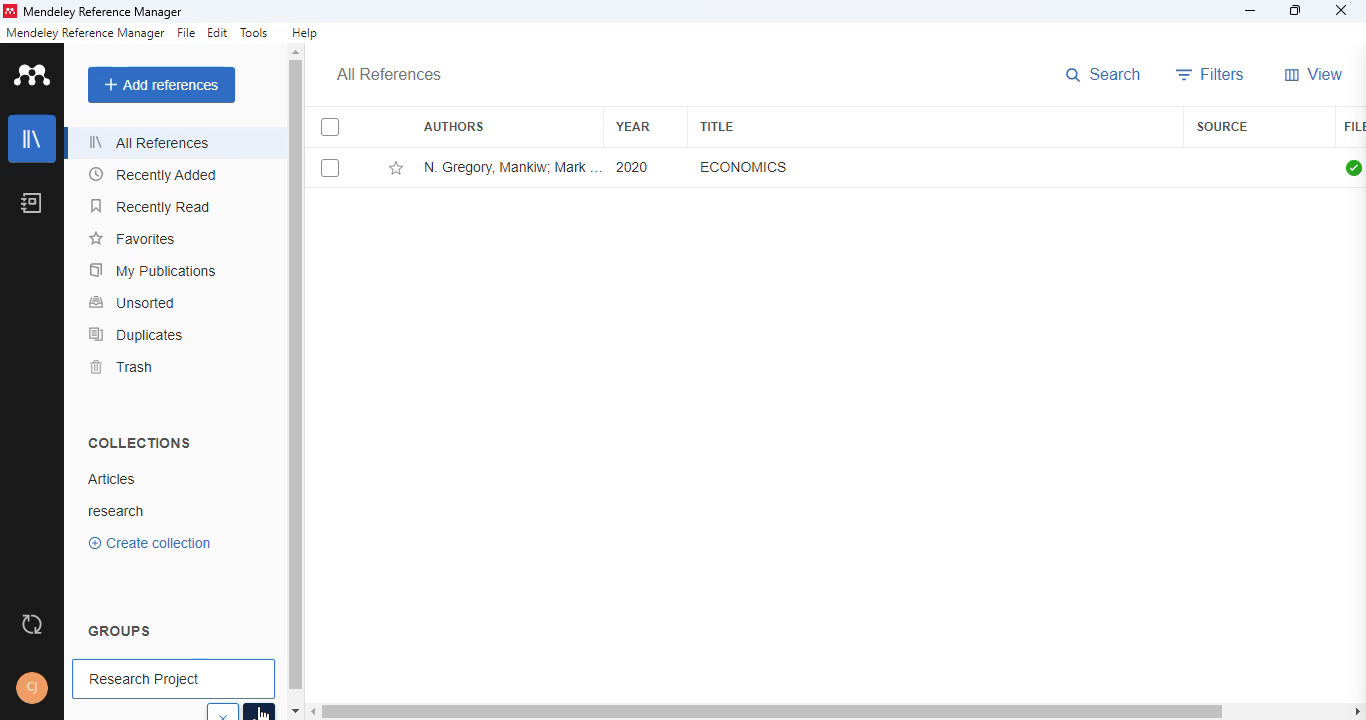  I want to click on trash, so click(124, 367).